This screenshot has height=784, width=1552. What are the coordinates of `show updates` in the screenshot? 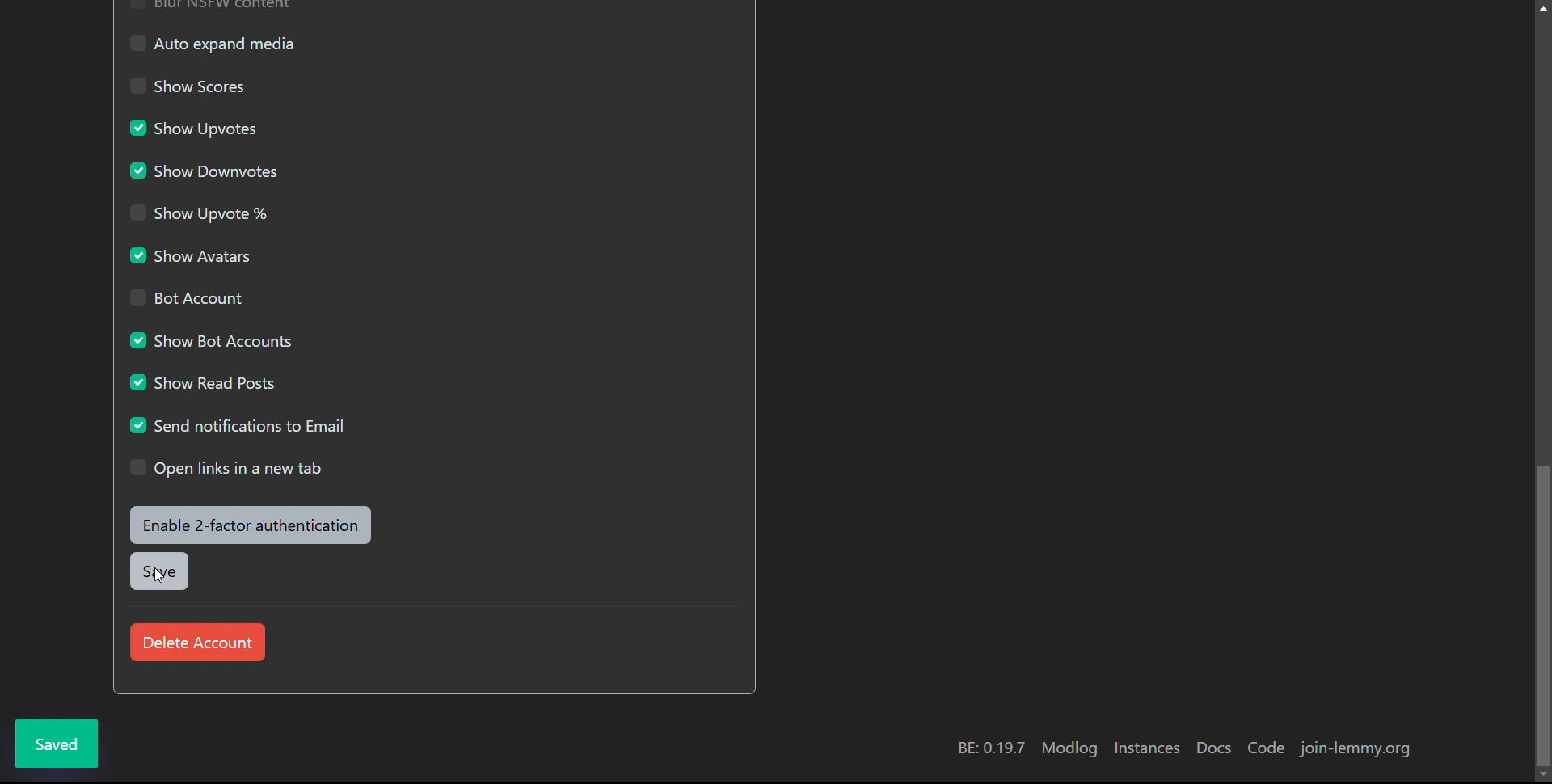 It's located at (193, 127).